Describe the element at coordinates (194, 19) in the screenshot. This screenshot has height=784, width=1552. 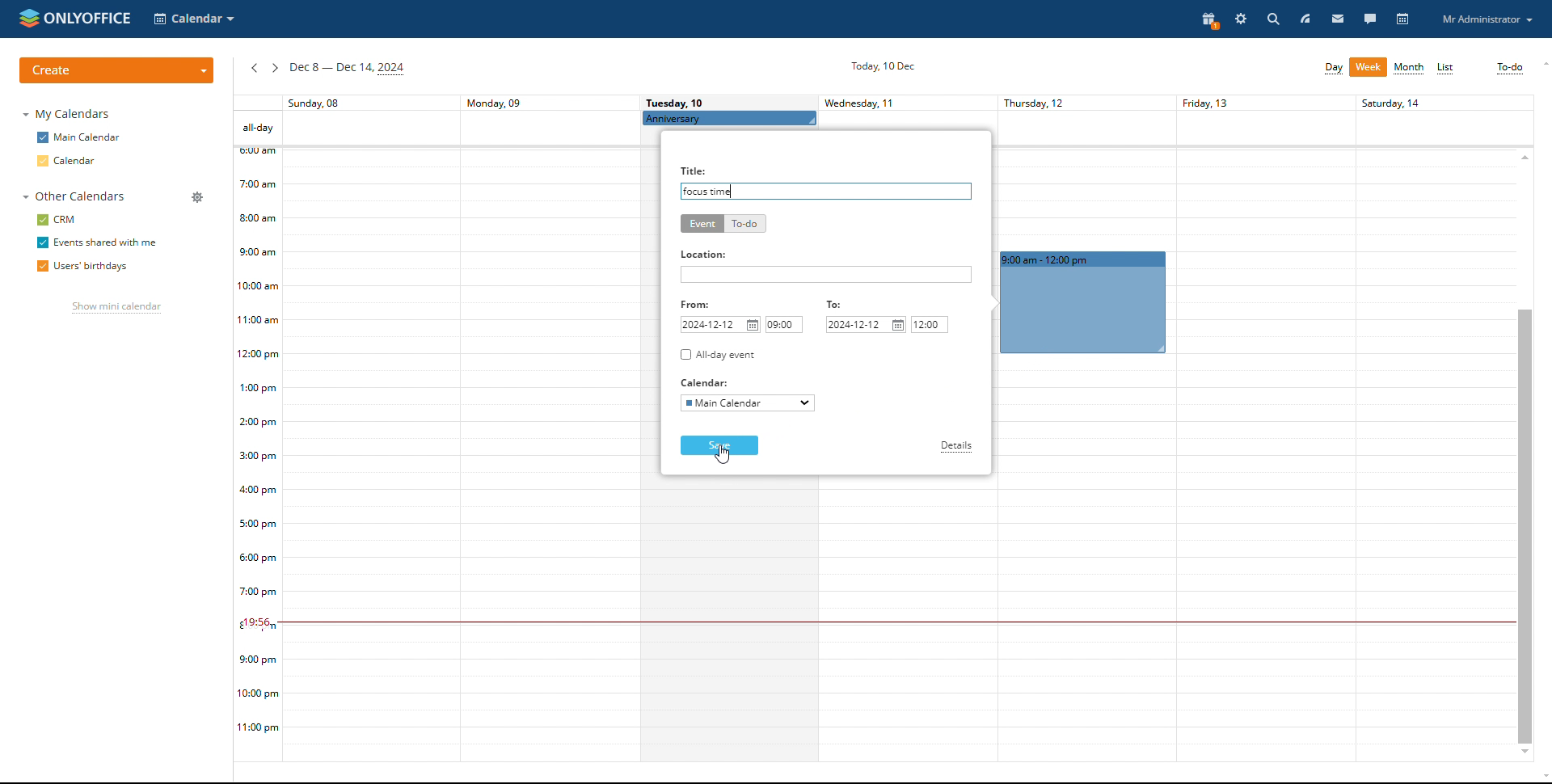
I see `select application` at that location.